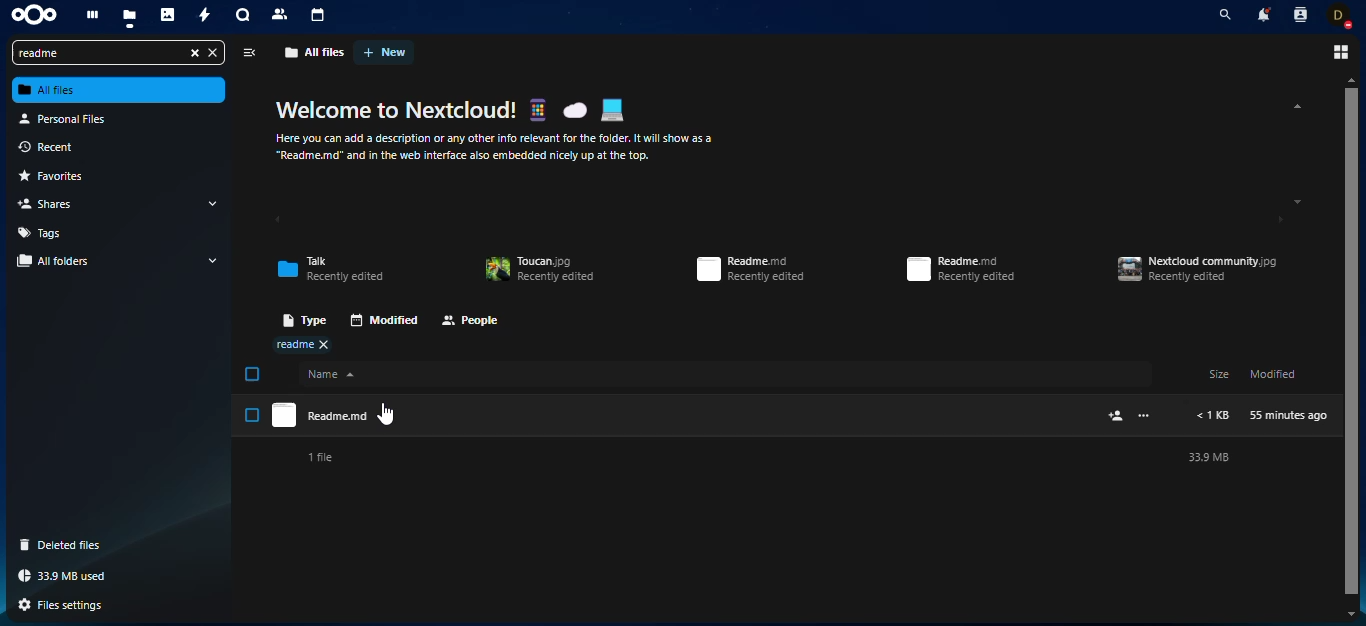 The height and width of the screenshot is (626, 1366). Describe the element at coordinates (385, 52) in the screenshot. I see `new` at that location.